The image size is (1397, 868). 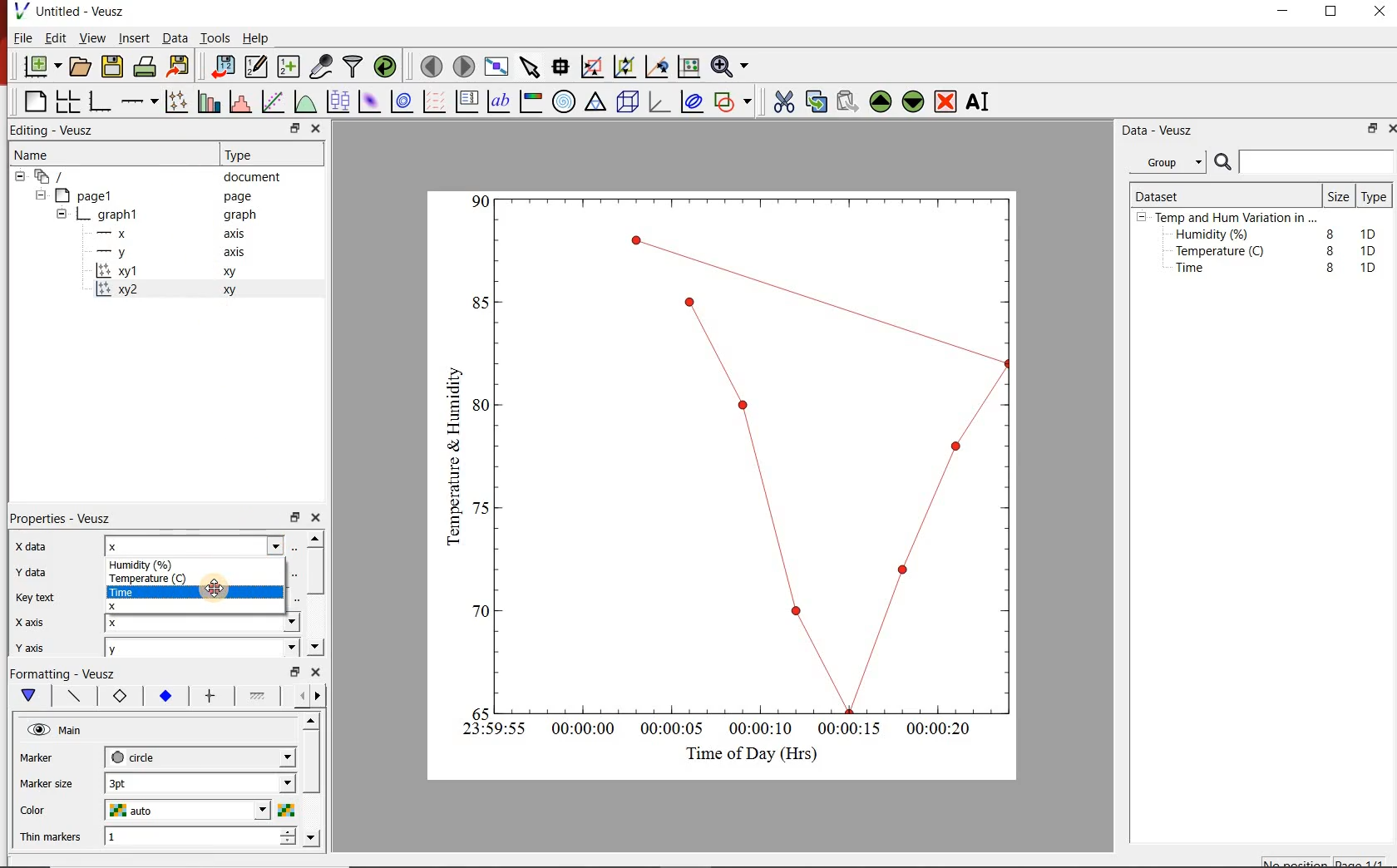 What do you see at coordinates (69, 515) in the screenshot?
I see `Properties - Veusz` at bounding box center [69, 515].